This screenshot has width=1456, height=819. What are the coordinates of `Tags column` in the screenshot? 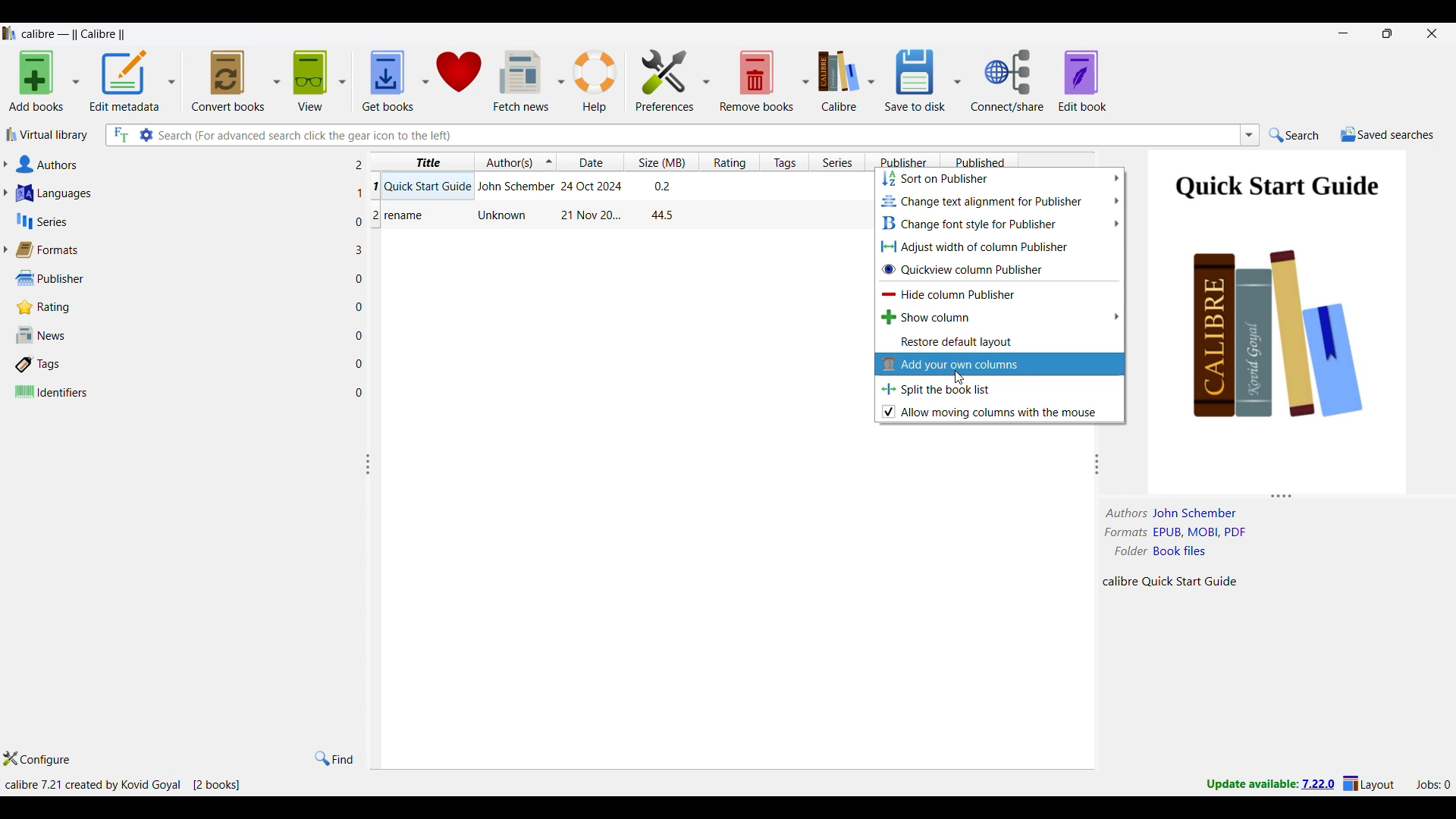 It's located at (784, 162).